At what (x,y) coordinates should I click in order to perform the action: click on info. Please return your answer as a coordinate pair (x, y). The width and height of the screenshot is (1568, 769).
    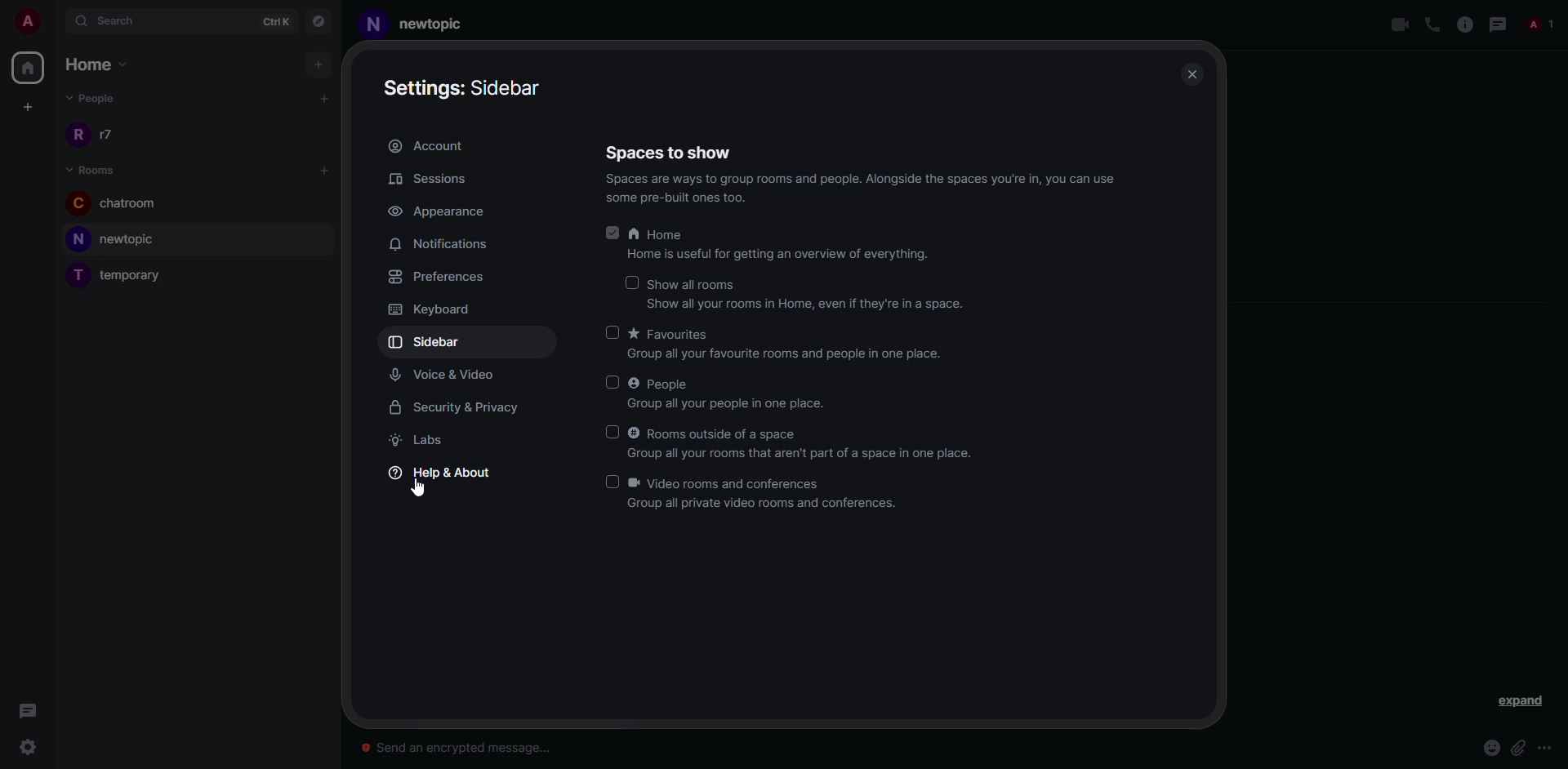
    Looking at the image, I should click on (767, 505).